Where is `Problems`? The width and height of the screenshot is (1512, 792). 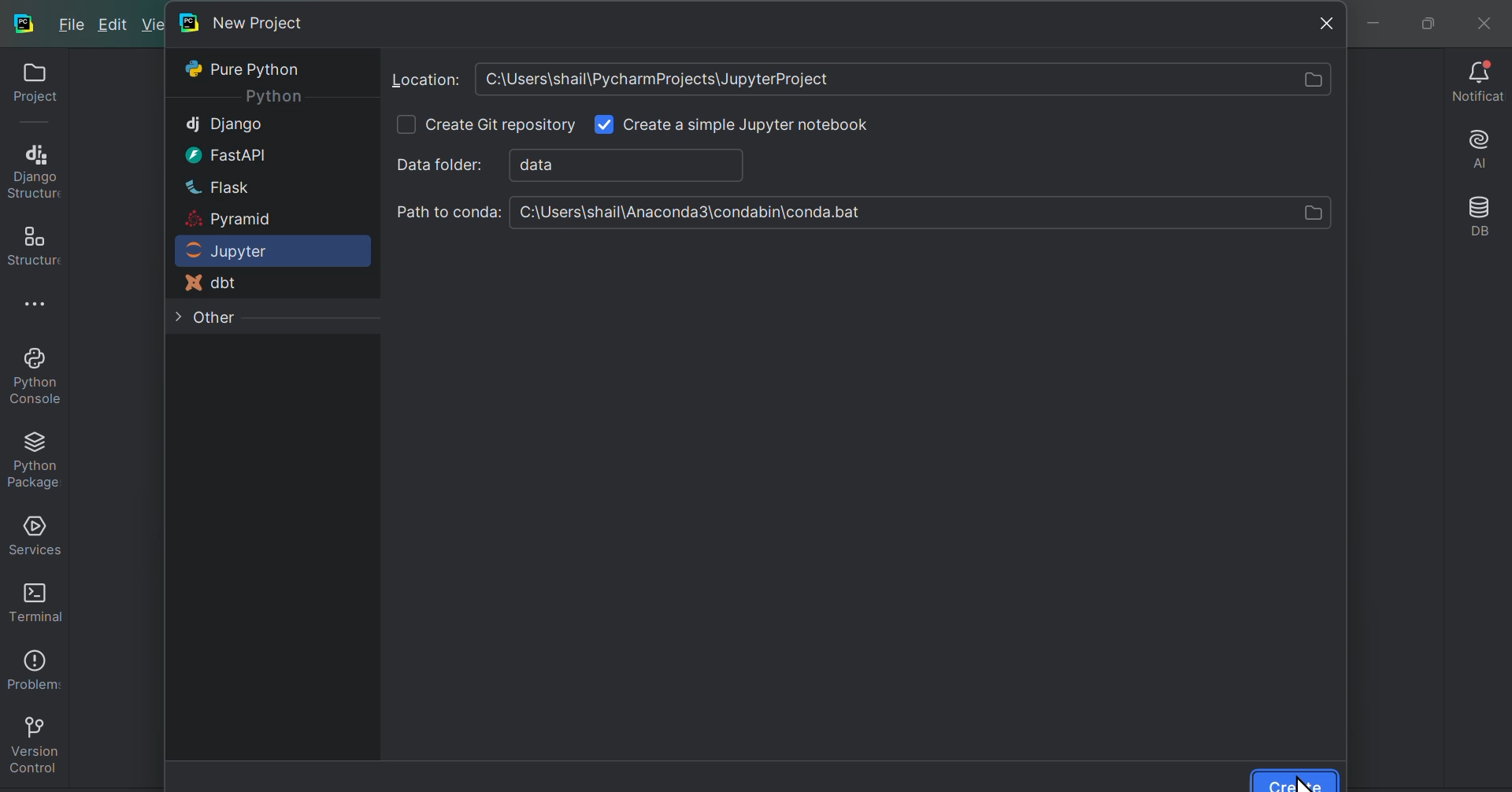 Problems is located at coordinates (31, 664).